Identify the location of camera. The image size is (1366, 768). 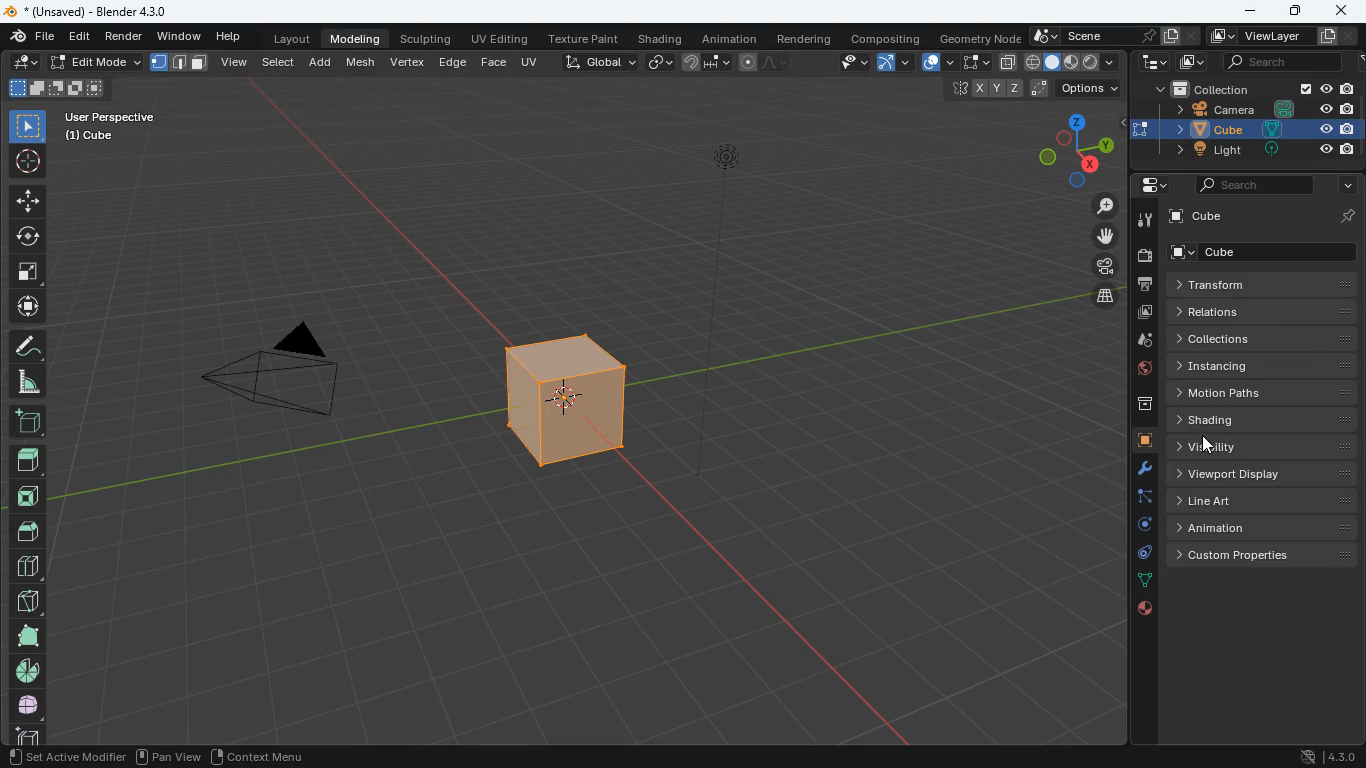
(280, 374).